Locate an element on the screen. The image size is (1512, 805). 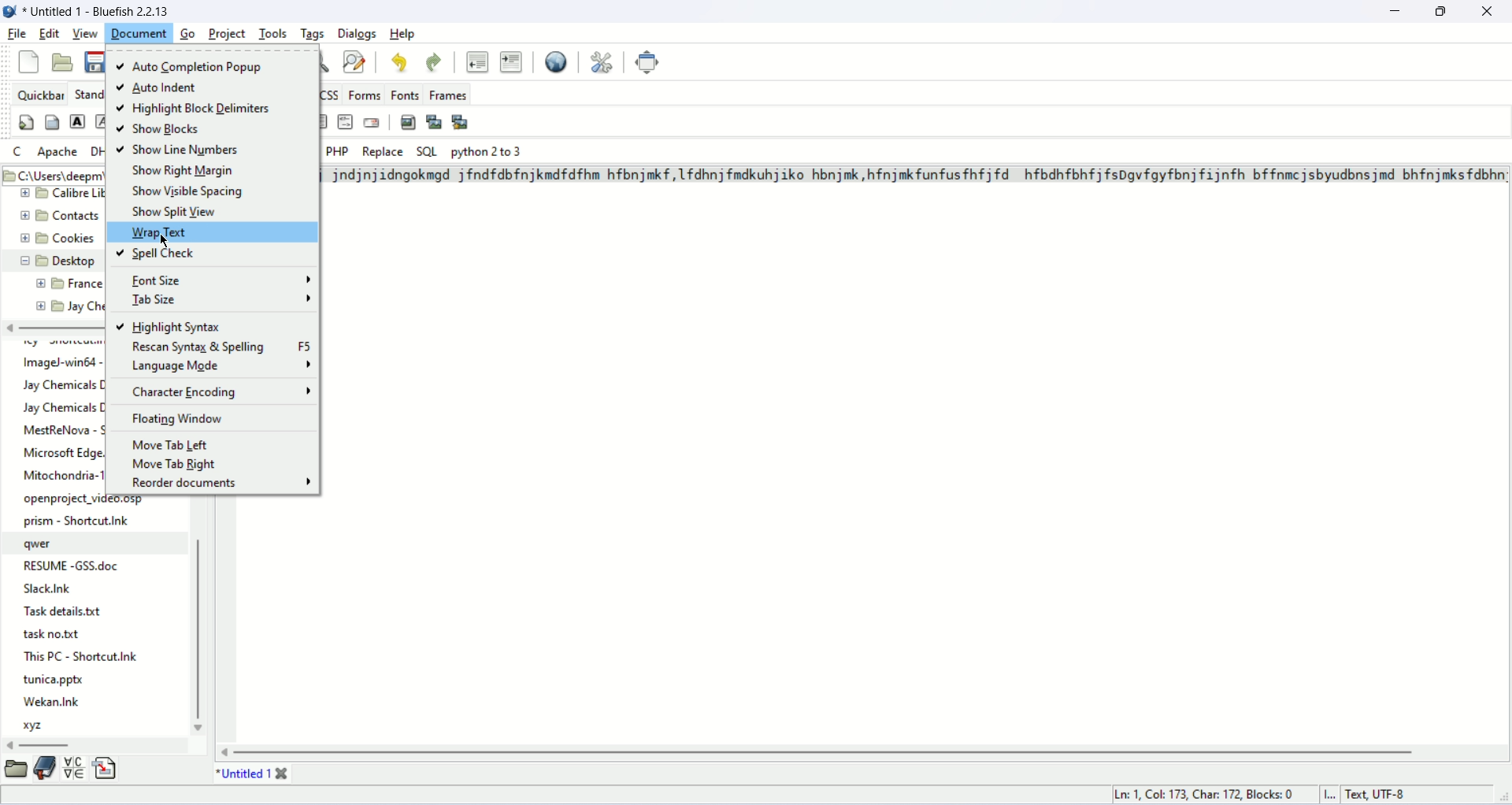
close is located at coordinates (1487, 12).